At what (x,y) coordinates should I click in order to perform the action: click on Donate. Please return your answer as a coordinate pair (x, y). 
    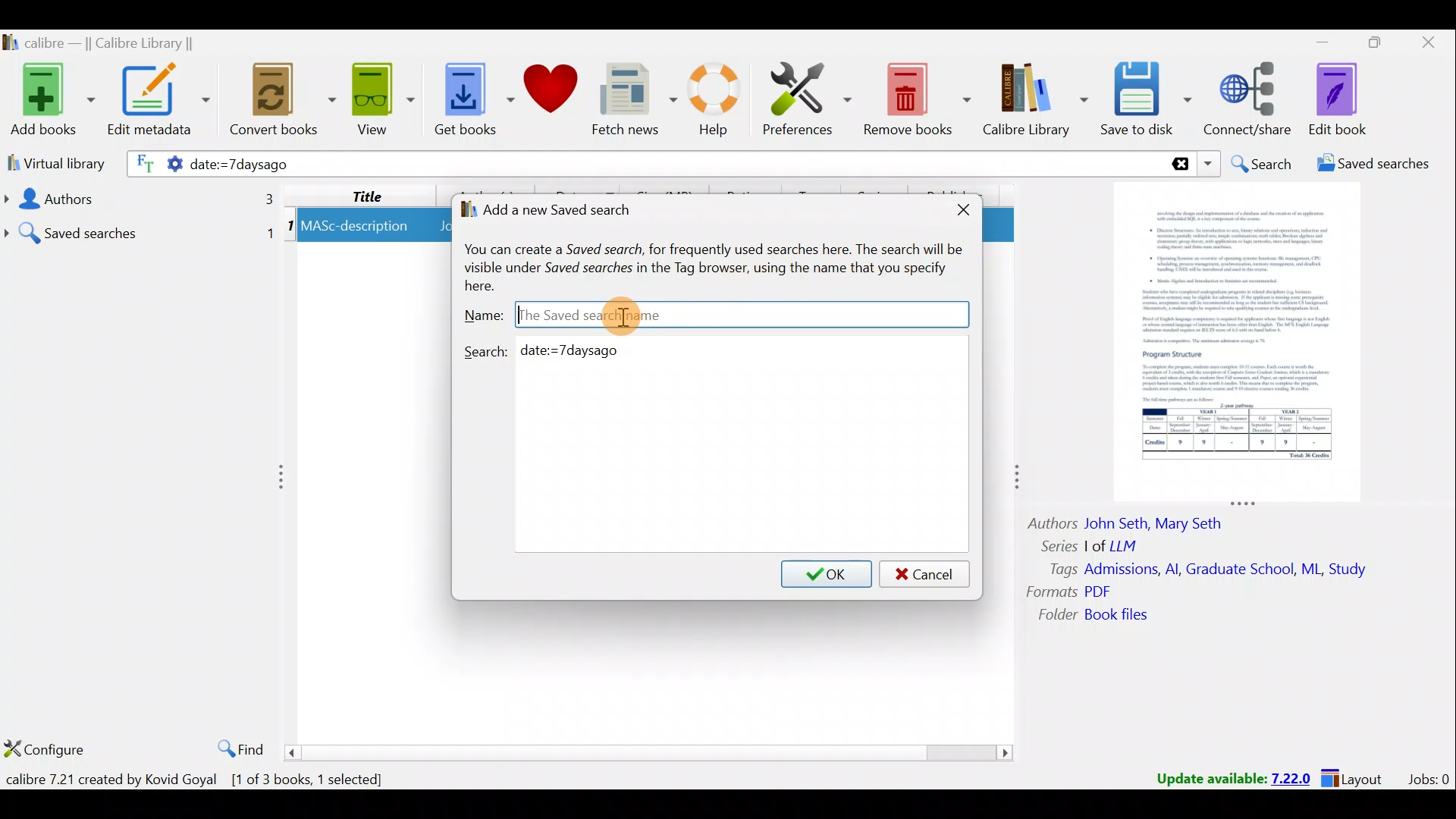
    Looking at the image, I should click on (550, 91).